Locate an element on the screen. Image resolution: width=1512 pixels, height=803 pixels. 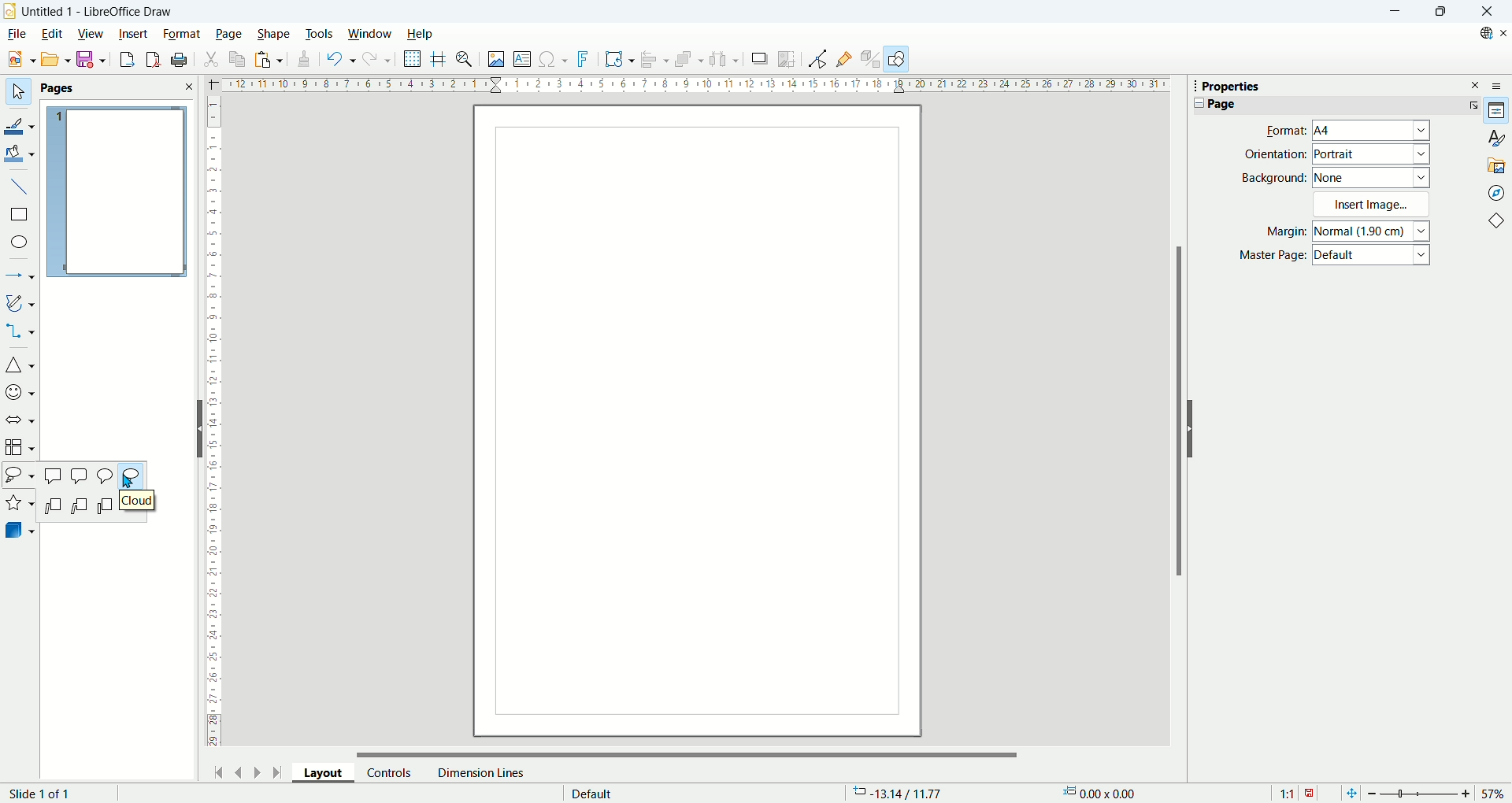
Round callout is located at coordinates (103, 476).